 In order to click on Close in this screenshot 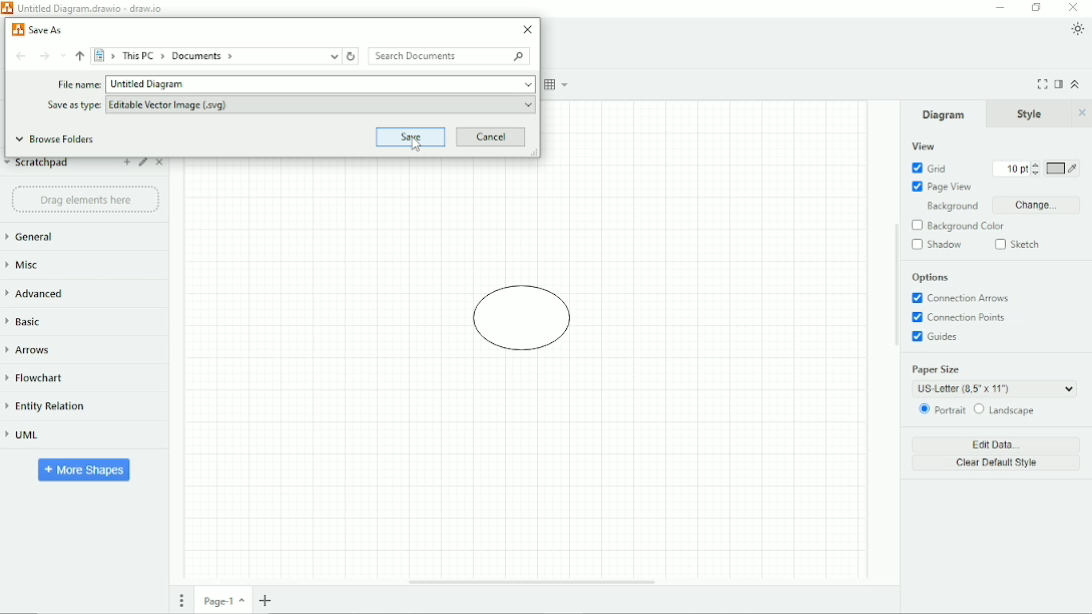, I will do `click(160, 164)`.